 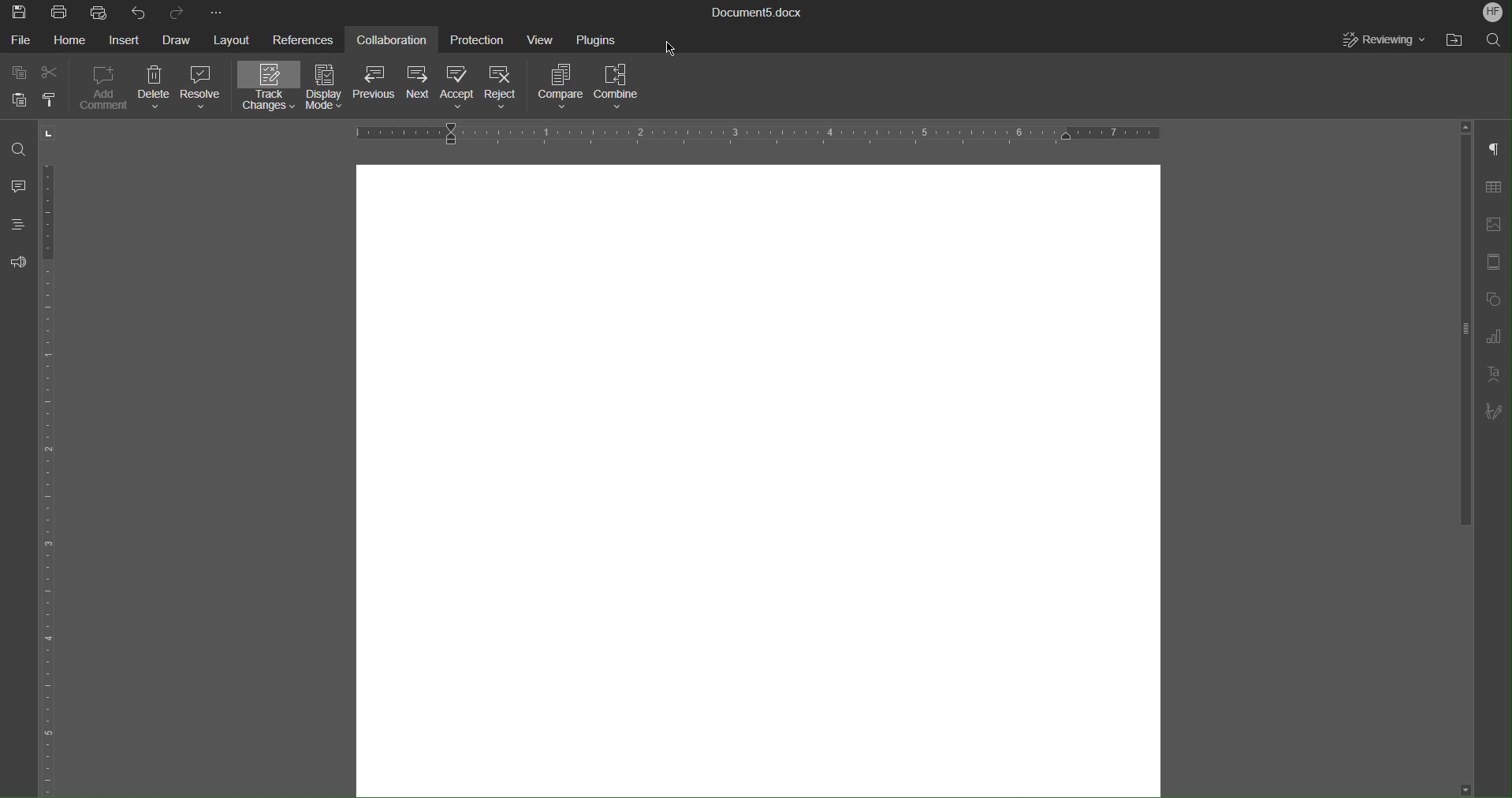 What do you see at coordinates (479, 40) in the screenshot?
I see `Protection` at bounding box center [479, 40].